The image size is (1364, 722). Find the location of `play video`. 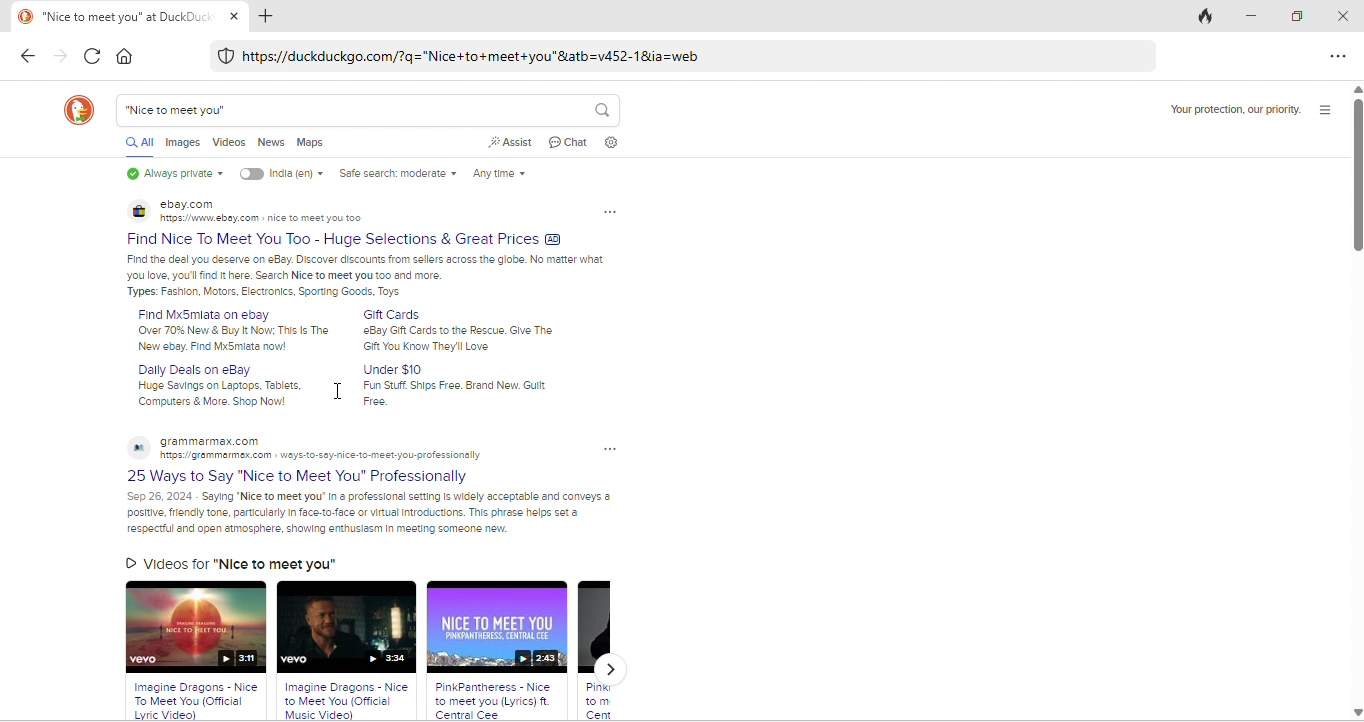

play video is located at coordinates (497, 628).